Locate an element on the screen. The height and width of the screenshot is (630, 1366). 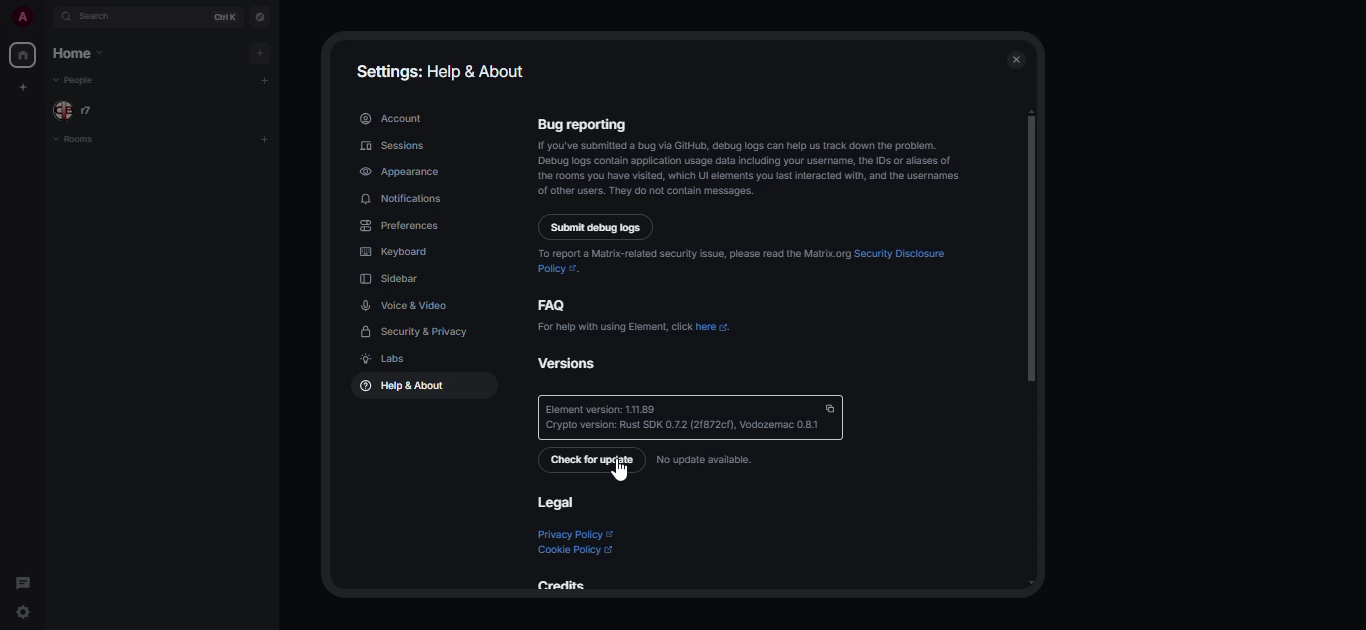
ctrl K is located at coordinates (225, 14).